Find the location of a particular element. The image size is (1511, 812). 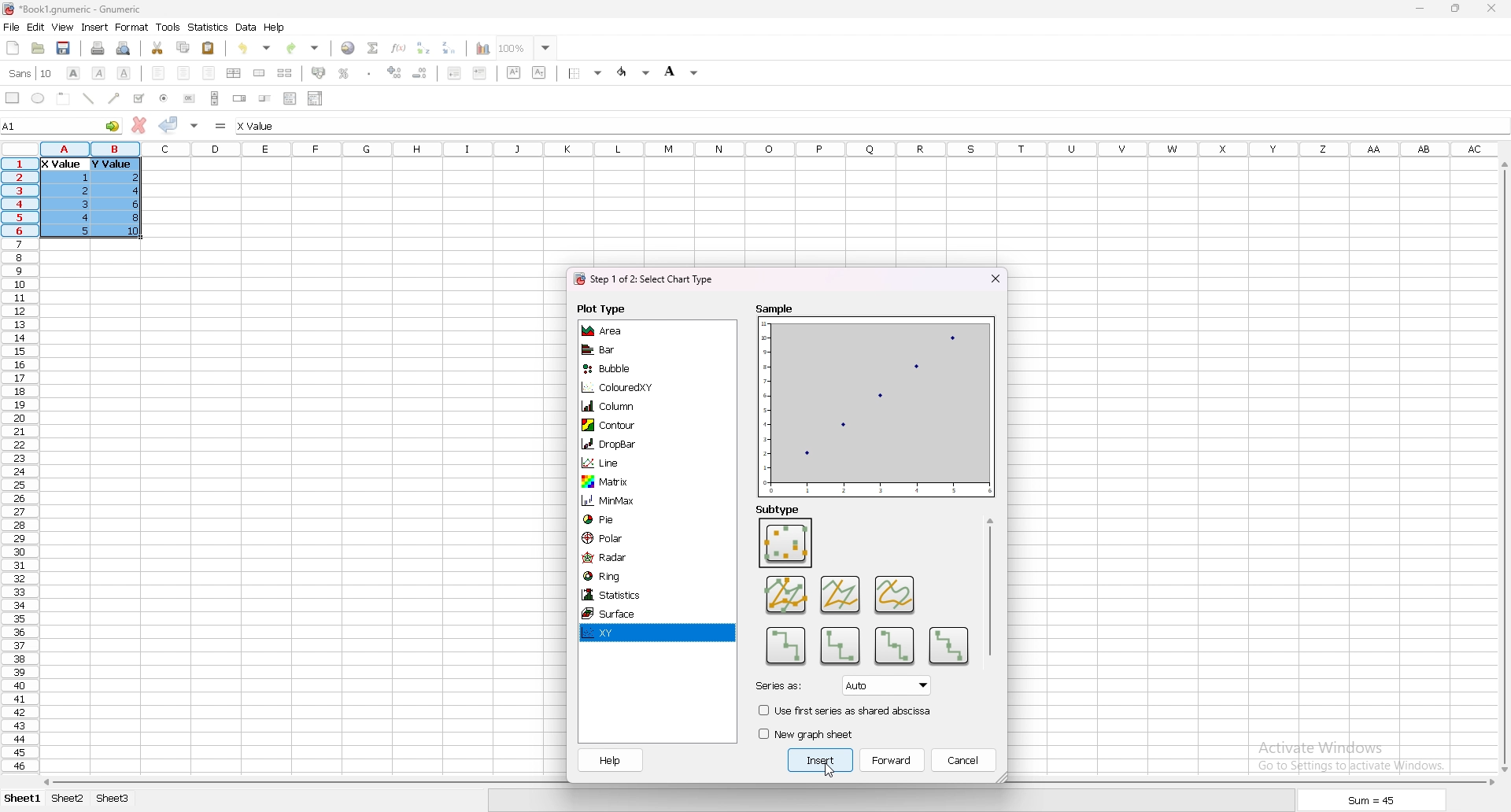

subtype is located at coordinates (787, 646).